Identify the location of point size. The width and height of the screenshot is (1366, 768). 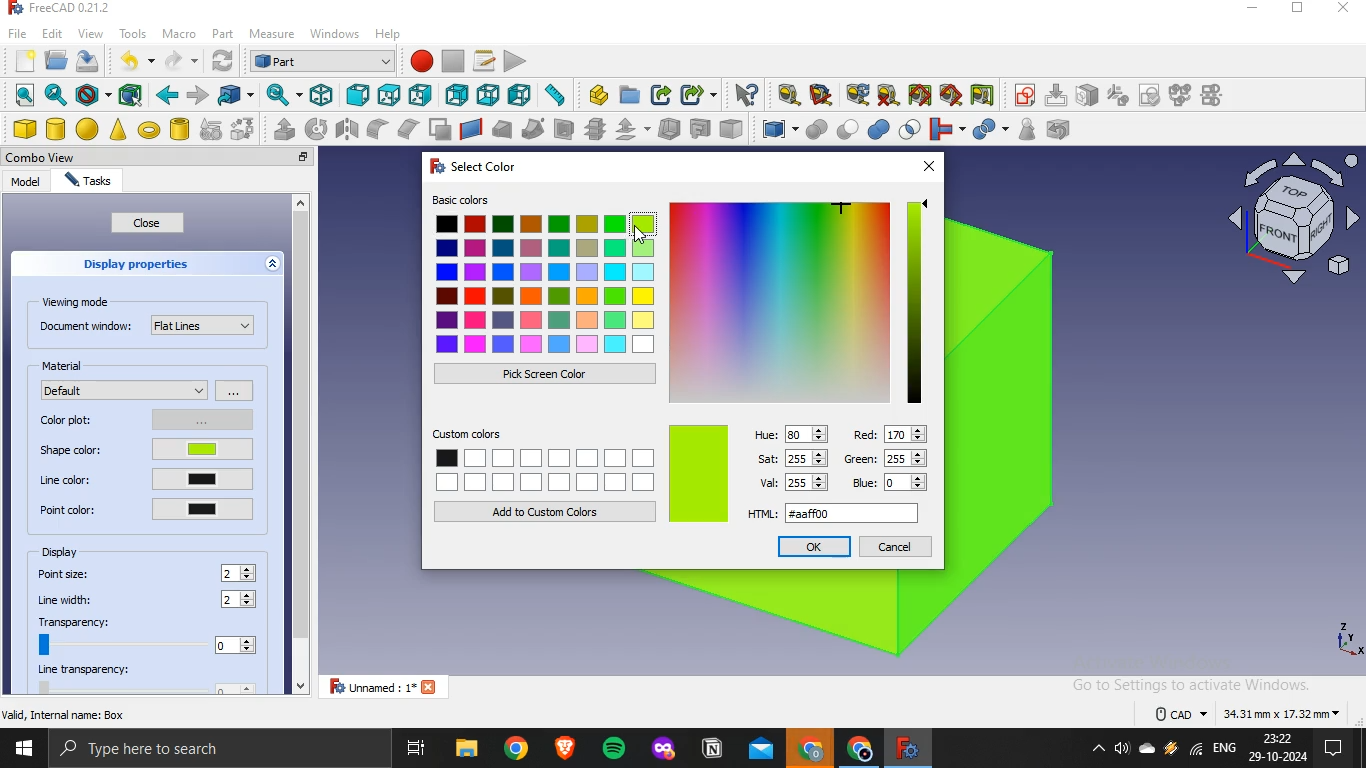
(66, 573).